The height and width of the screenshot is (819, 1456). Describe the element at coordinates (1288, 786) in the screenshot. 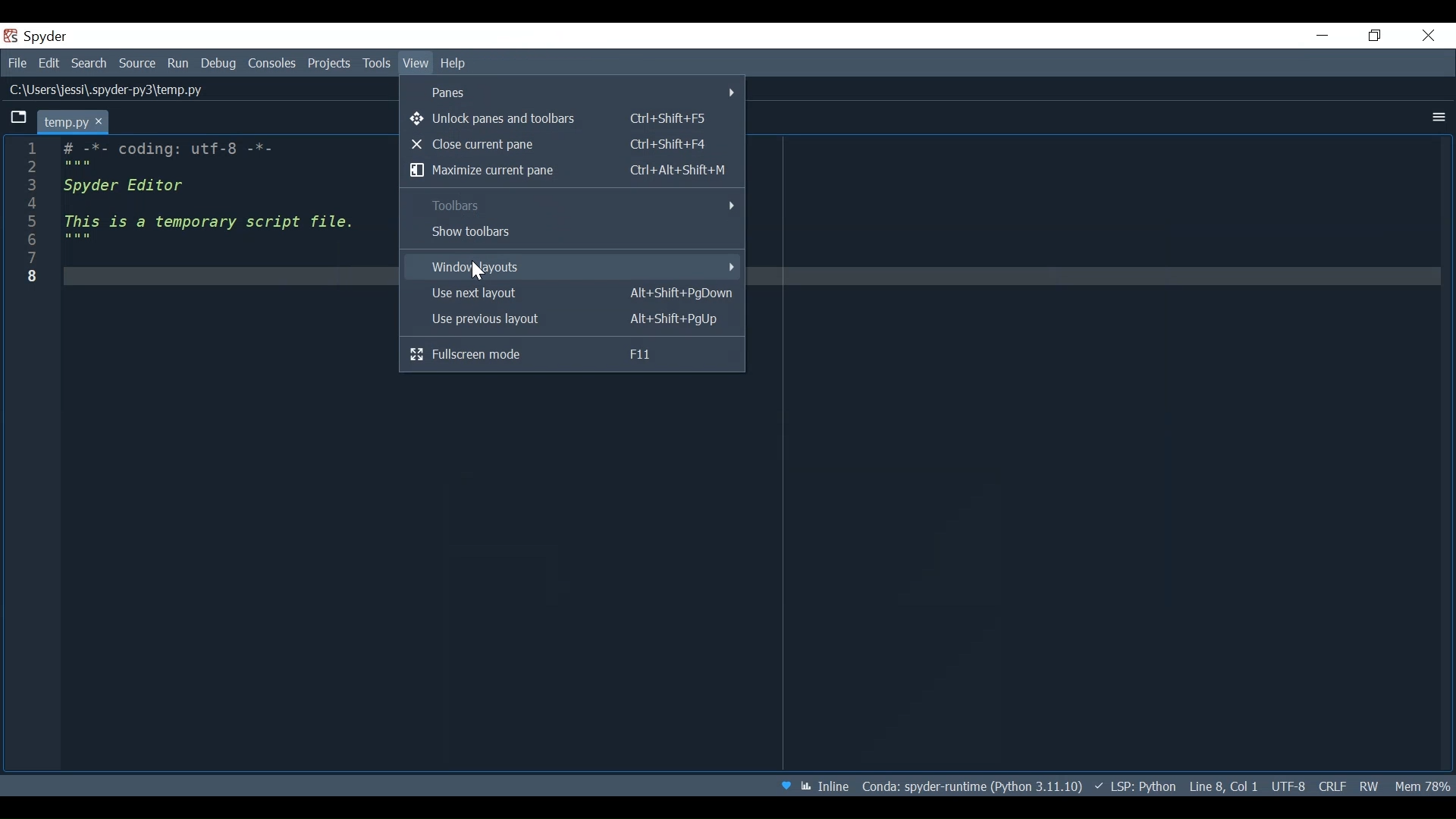

I see `File Encoding` at that location.